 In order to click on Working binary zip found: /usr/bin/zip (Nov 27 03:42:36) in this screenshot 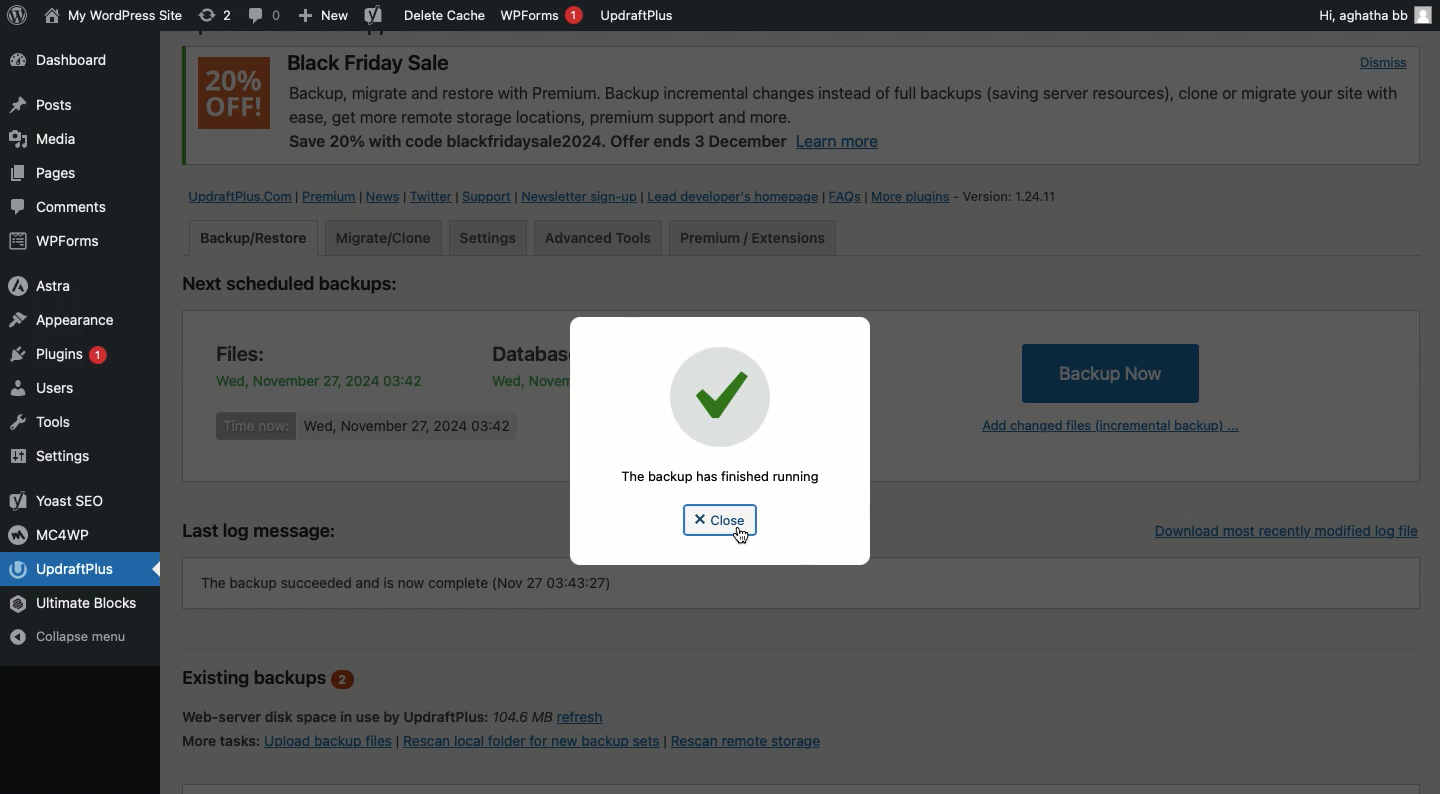, I will do `click(404, 584)`.